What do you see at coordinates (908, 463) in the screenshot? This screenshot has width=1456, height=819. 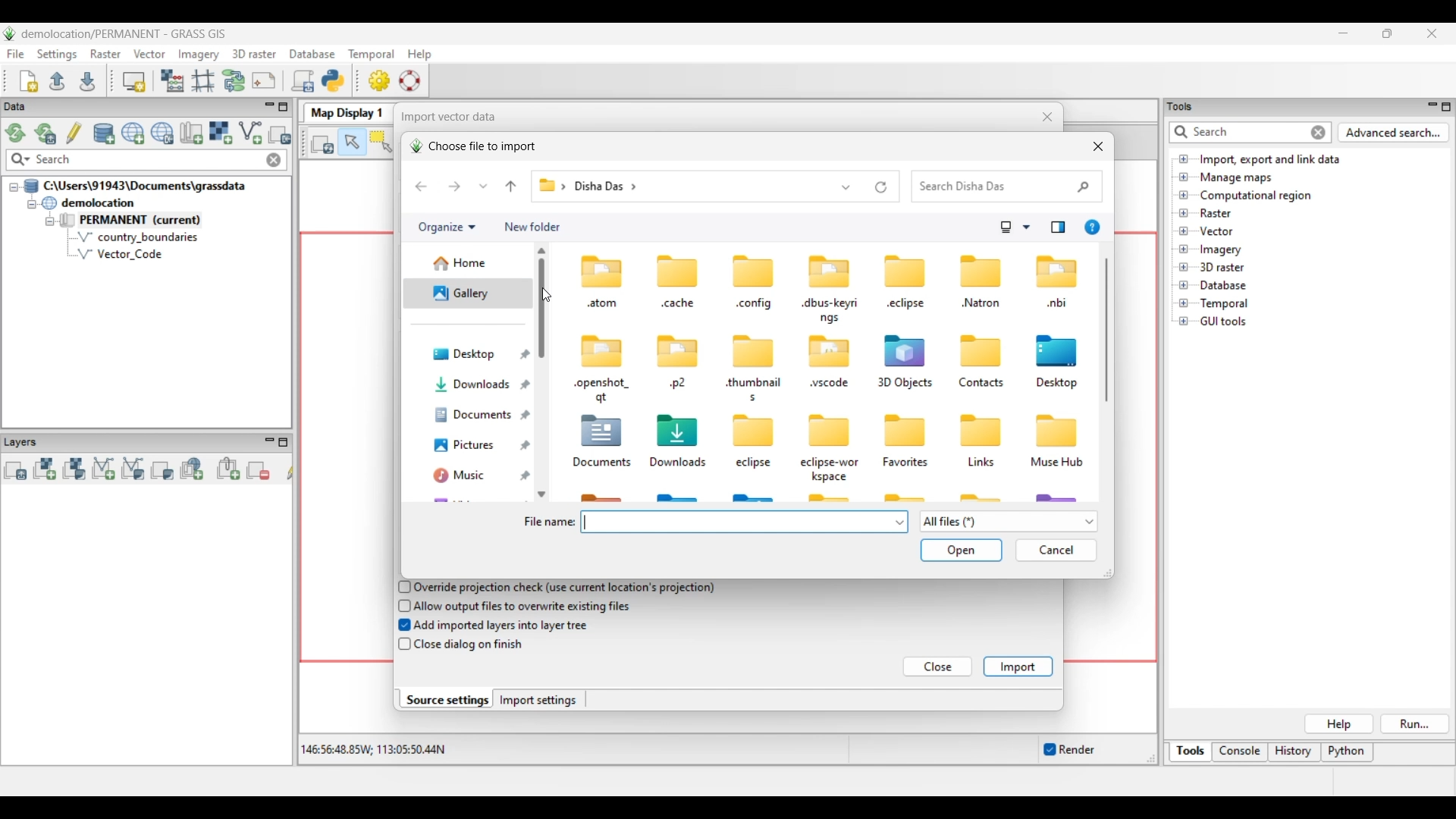 I see `Favorites` at bounding box center [908, 463].